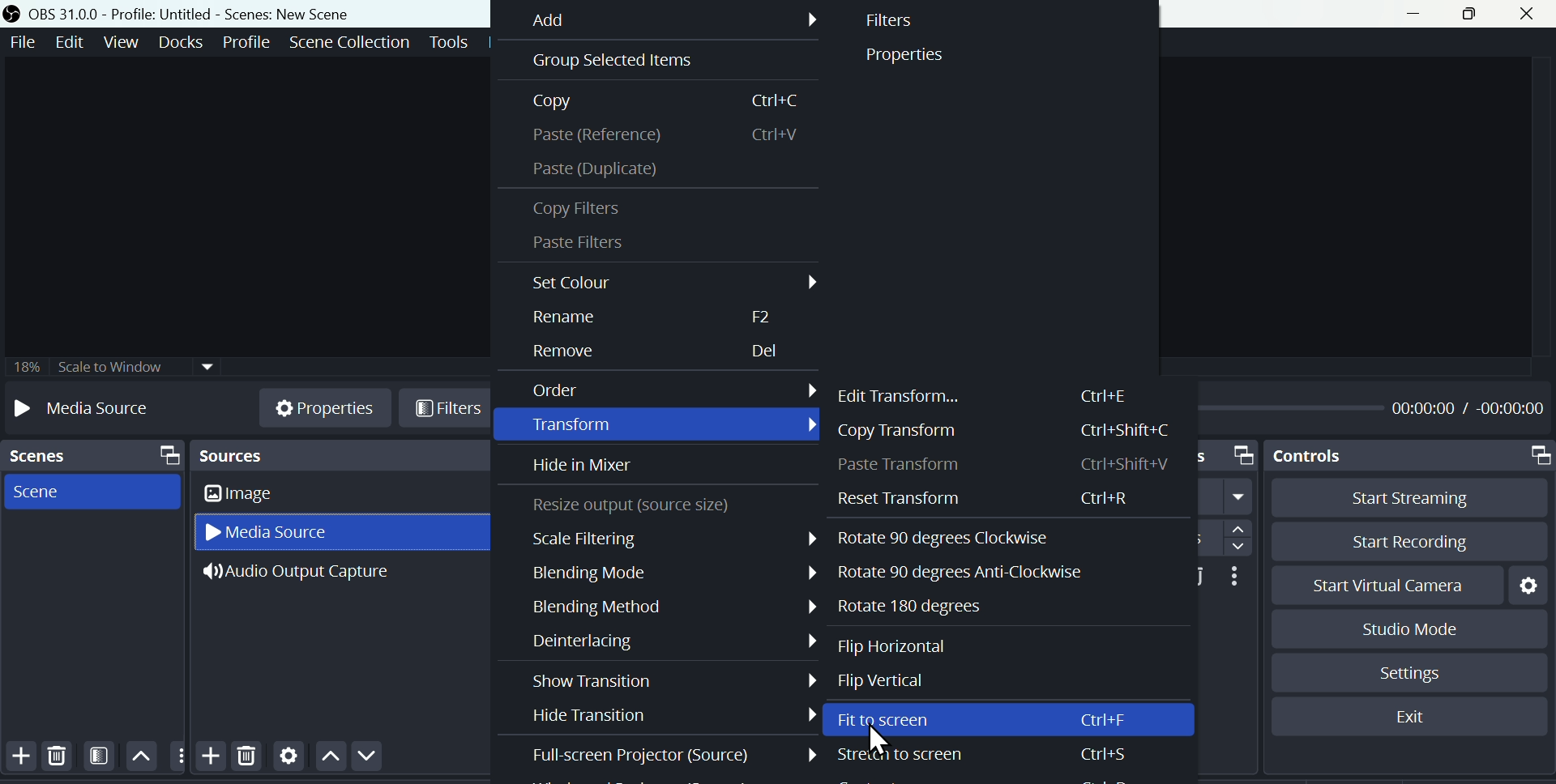  What do you see at coordinates (913, 57) in the screenshot?
I see `Properties` at bounding box center [913, 57].